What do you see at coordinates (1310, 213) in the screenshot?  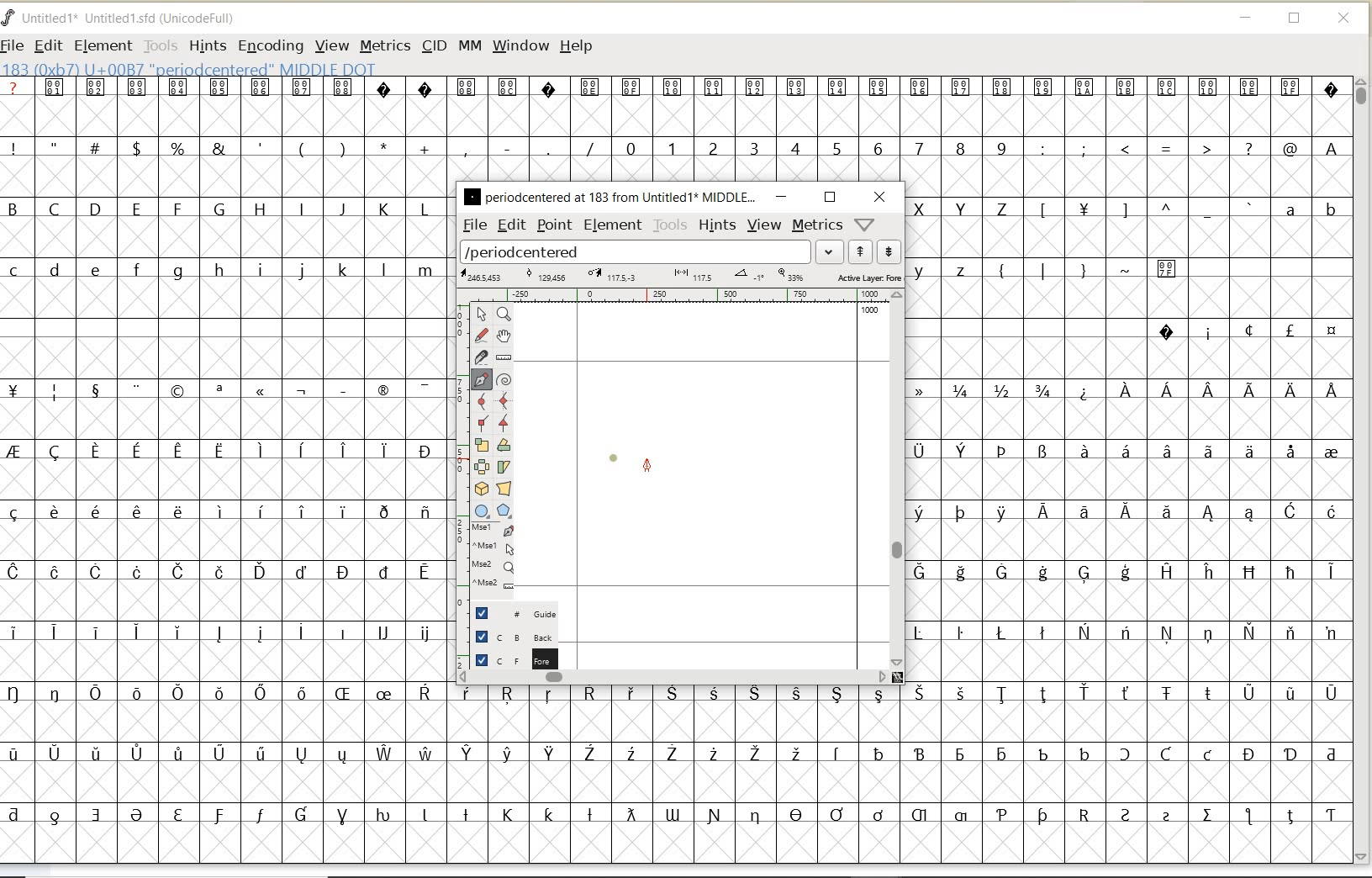 I see `lowercase letters` at bounding box center [1310, 213].